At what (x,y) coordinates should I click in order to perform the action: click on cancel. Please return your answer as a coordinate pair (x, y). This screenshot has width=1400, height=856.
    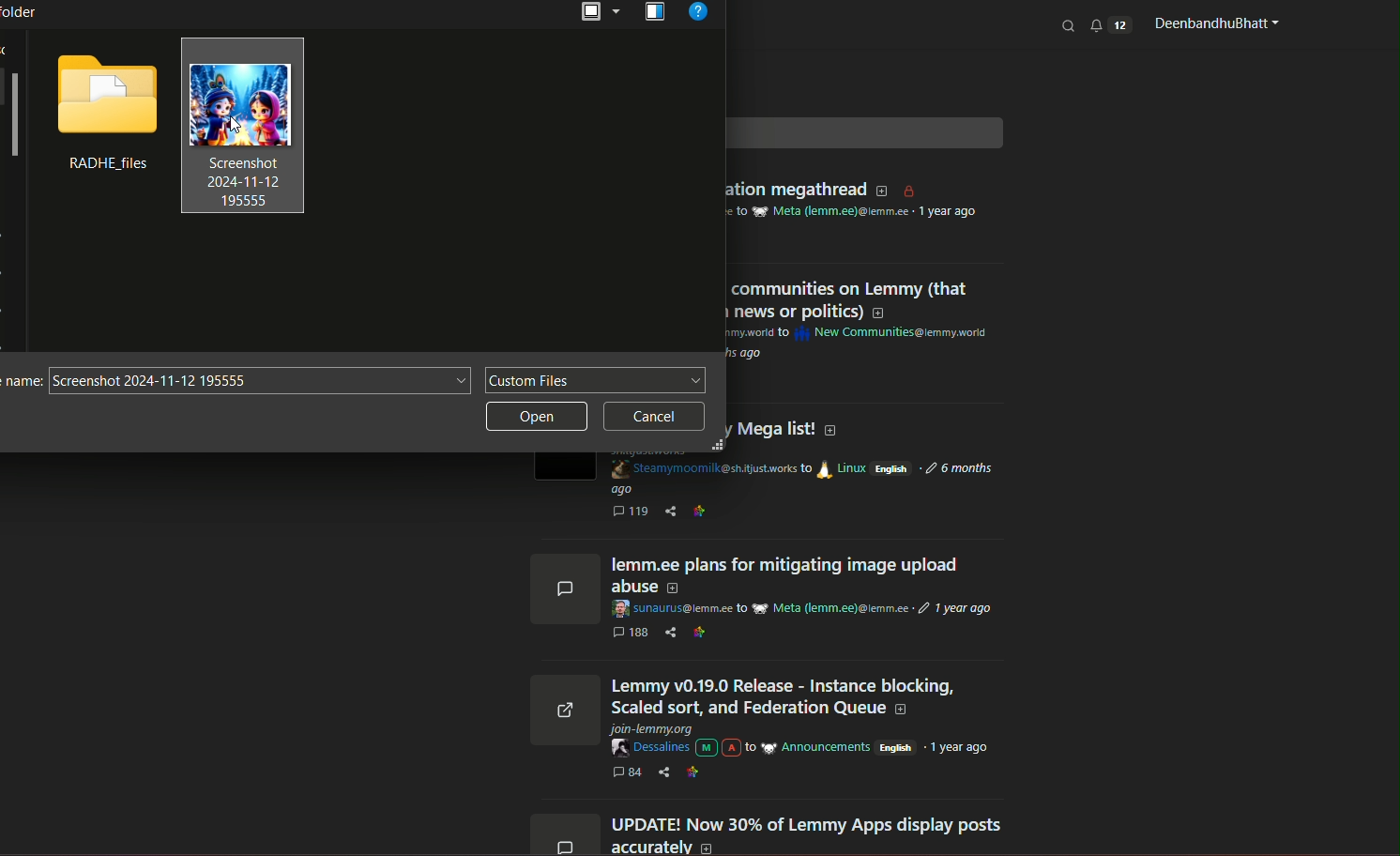
    Looking at the image, I should click on (655, 417).